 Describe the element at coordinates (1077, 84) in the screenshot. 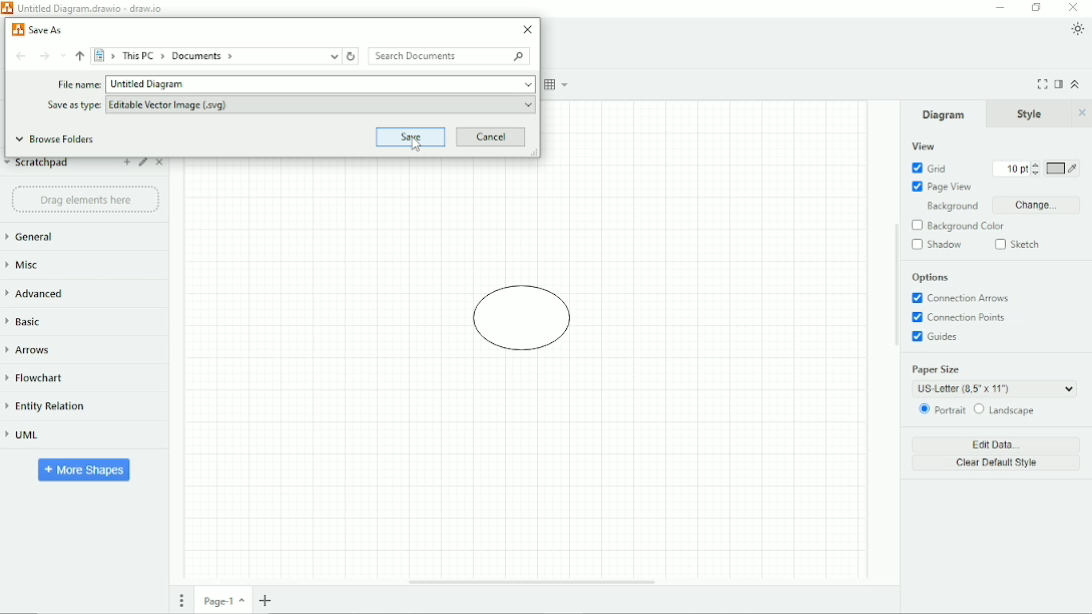

I see `Collapse/Expand` at that location.